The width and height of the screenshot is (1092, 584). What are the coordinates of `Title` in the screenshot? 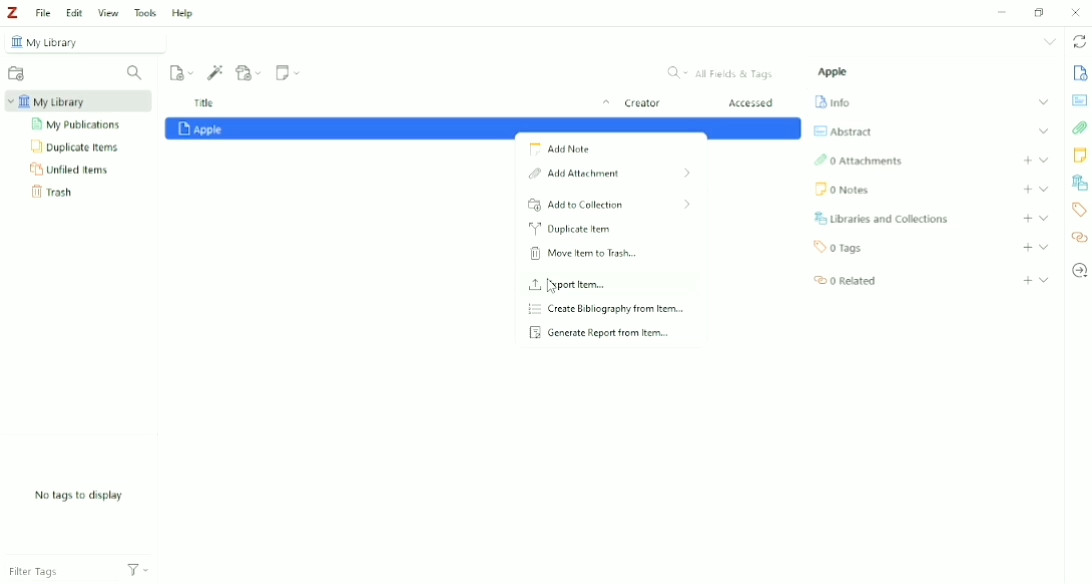 It's located at (398, 104).